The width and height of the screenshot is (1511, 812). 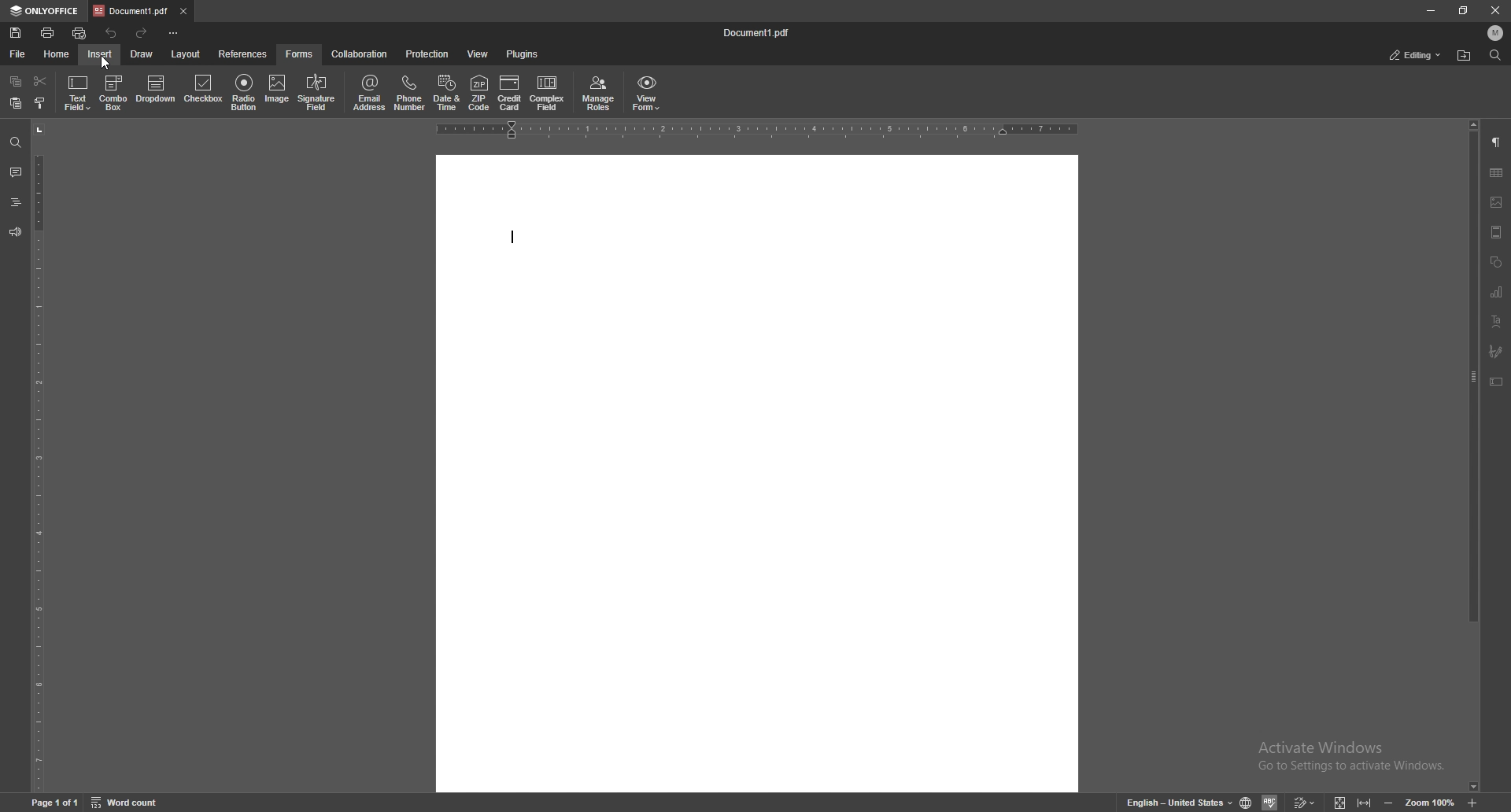 What do you see at coordinates (1497, 382) in the screenshot?
I see `text box` at bounding box center [1497, 382].